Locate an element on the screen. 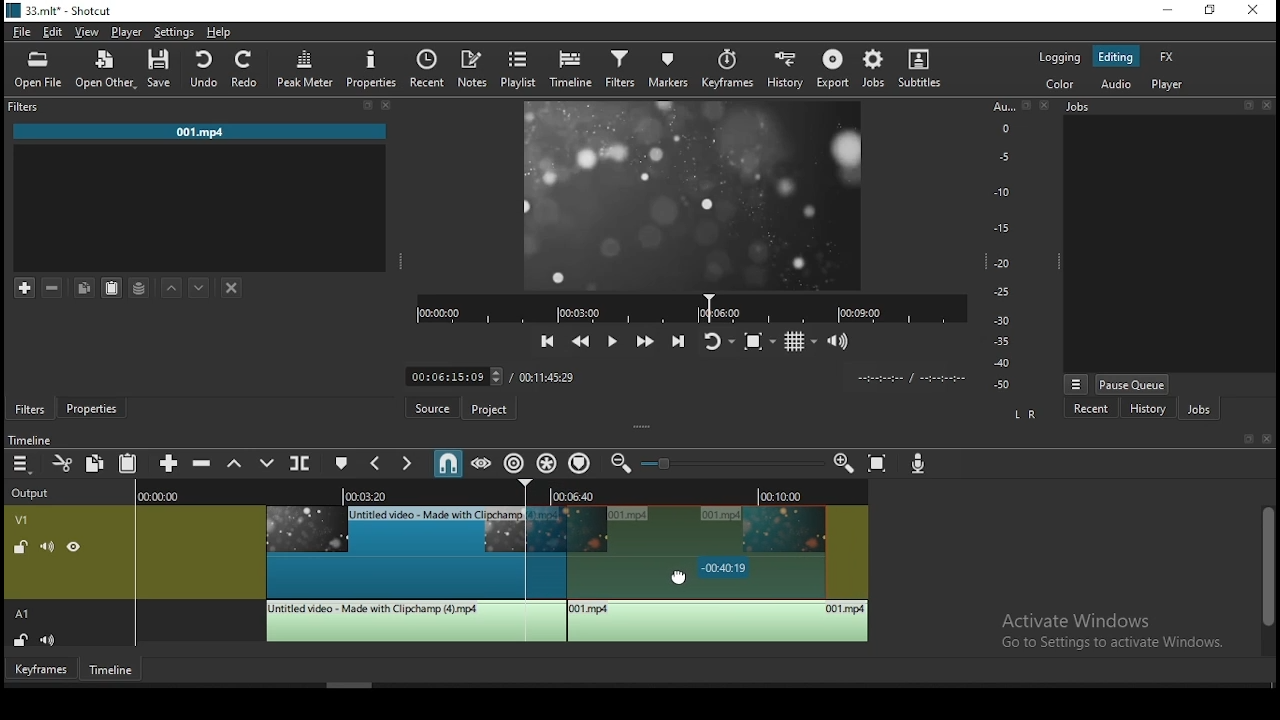 This screenshot has height=720, width=1280. editing is located at coordinates (1122, 57).